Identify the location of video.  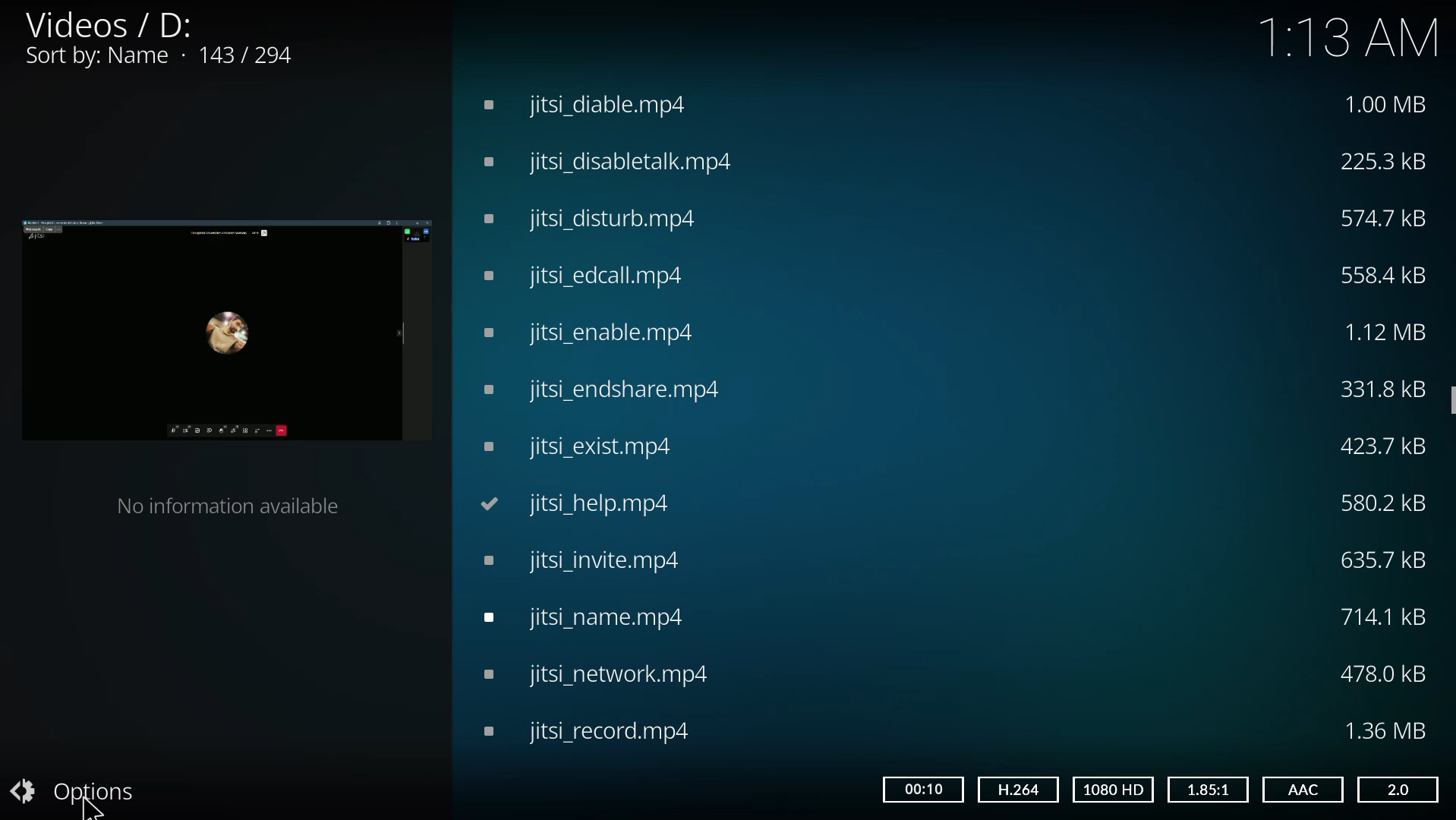
(589, 276).